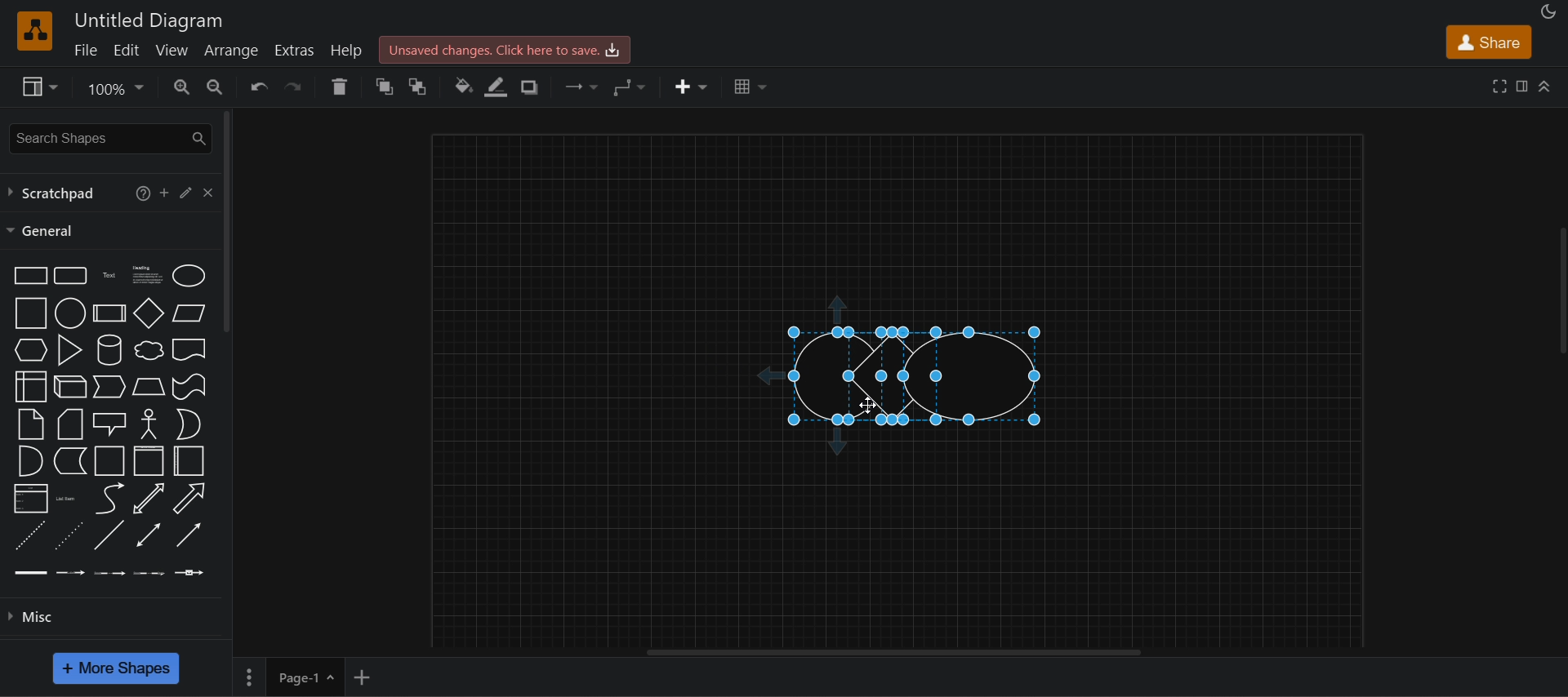  Describe the element at coordinates (1525, 89) in the screenshot. I see `format` at that location.